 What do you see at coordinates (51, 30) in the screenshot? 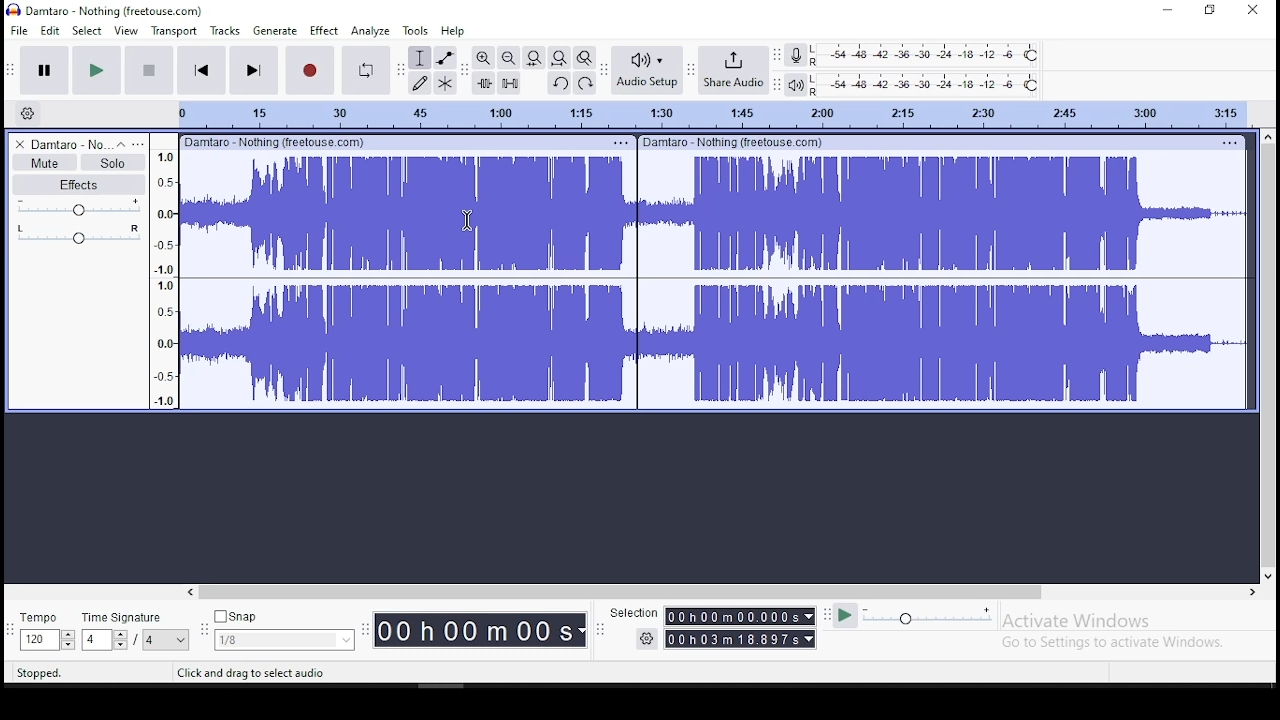
I see `edit` at bounding box center [51, 30].